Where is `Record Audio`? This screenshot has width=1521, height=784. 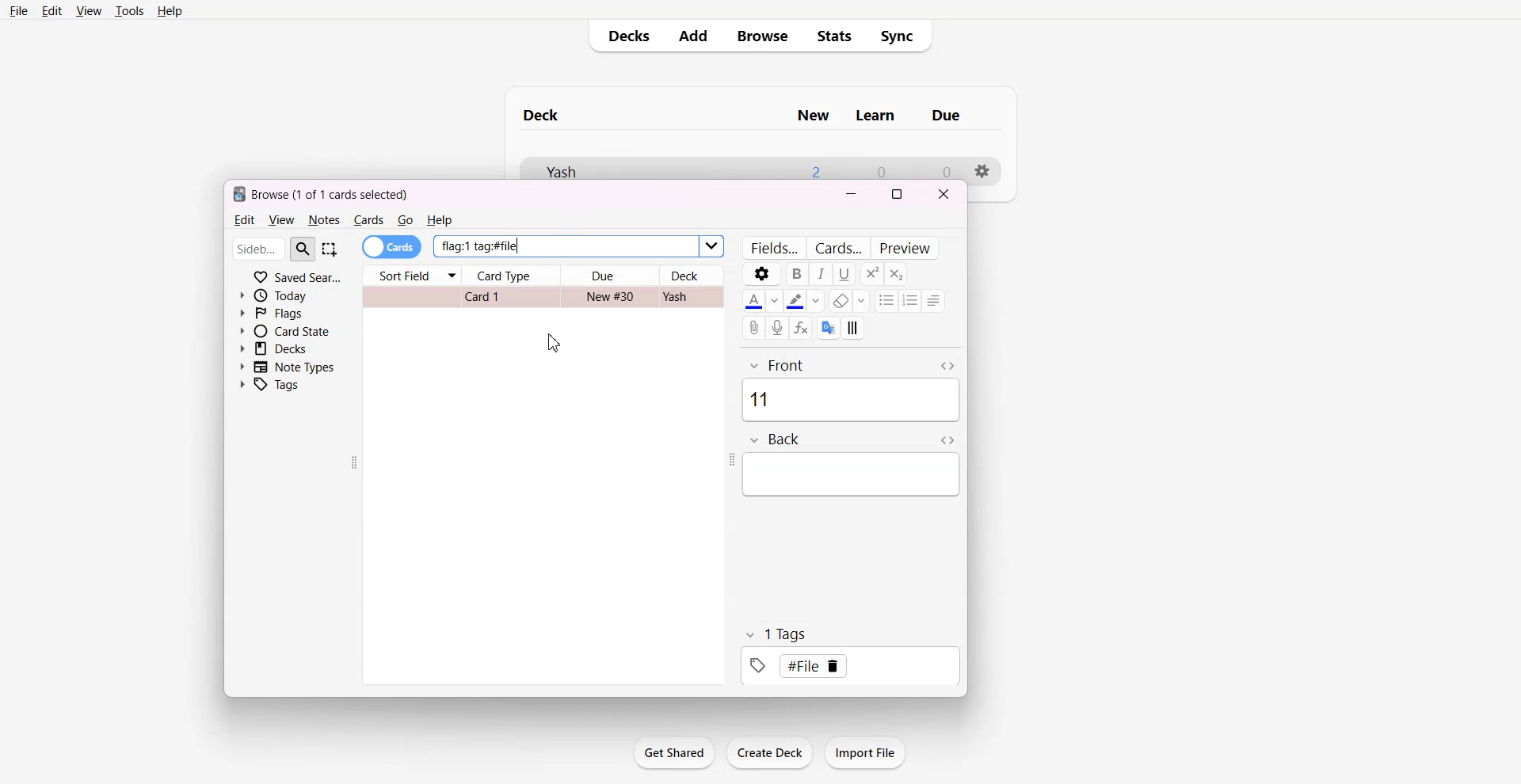 Record Audio is located at coordinates (780, 328).